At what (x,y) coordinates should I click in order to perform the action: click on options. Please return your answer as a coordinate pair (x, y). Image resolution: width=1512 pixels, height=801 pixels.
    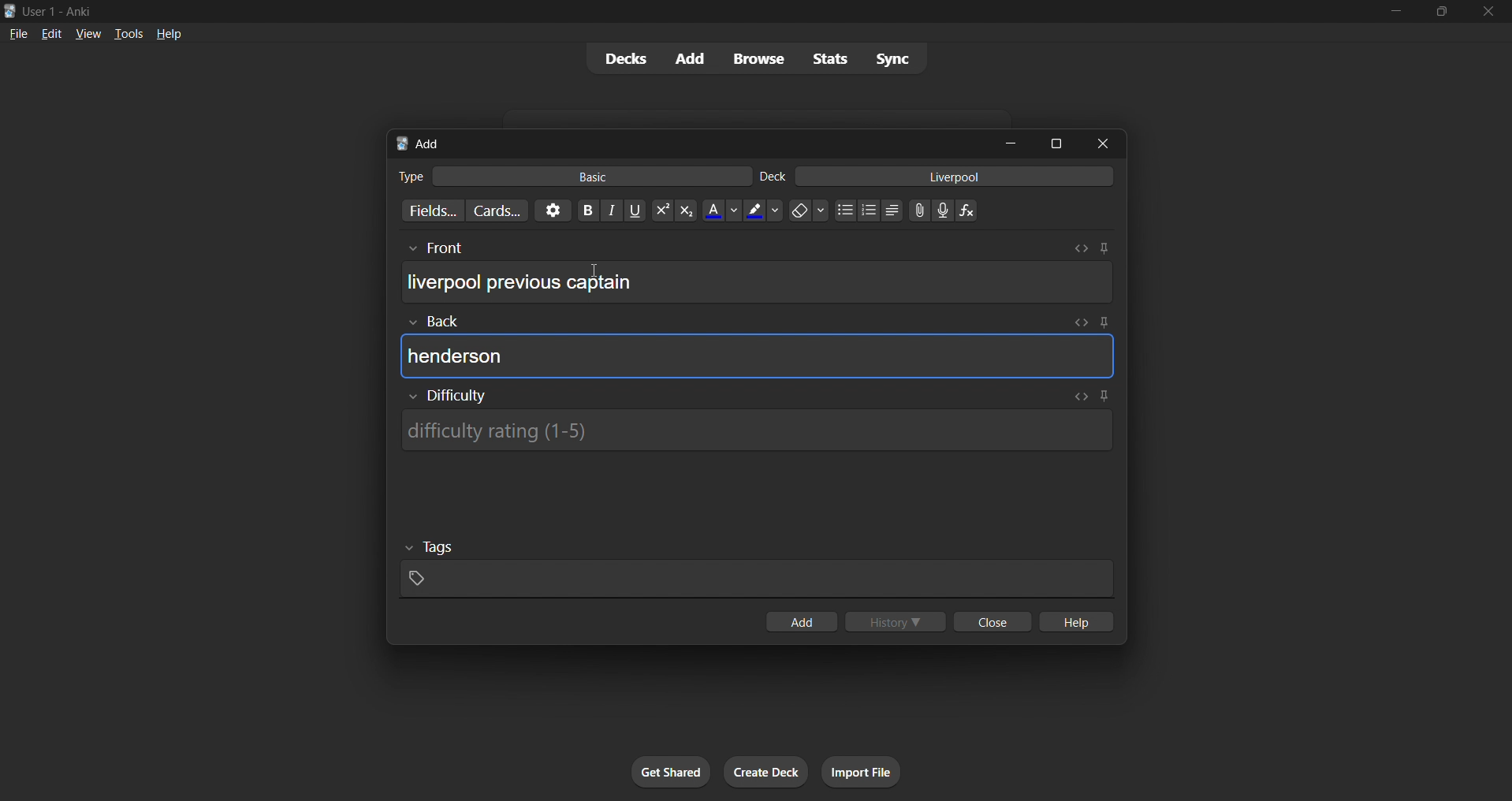
    Looking at the image, I should click on (550, 210).